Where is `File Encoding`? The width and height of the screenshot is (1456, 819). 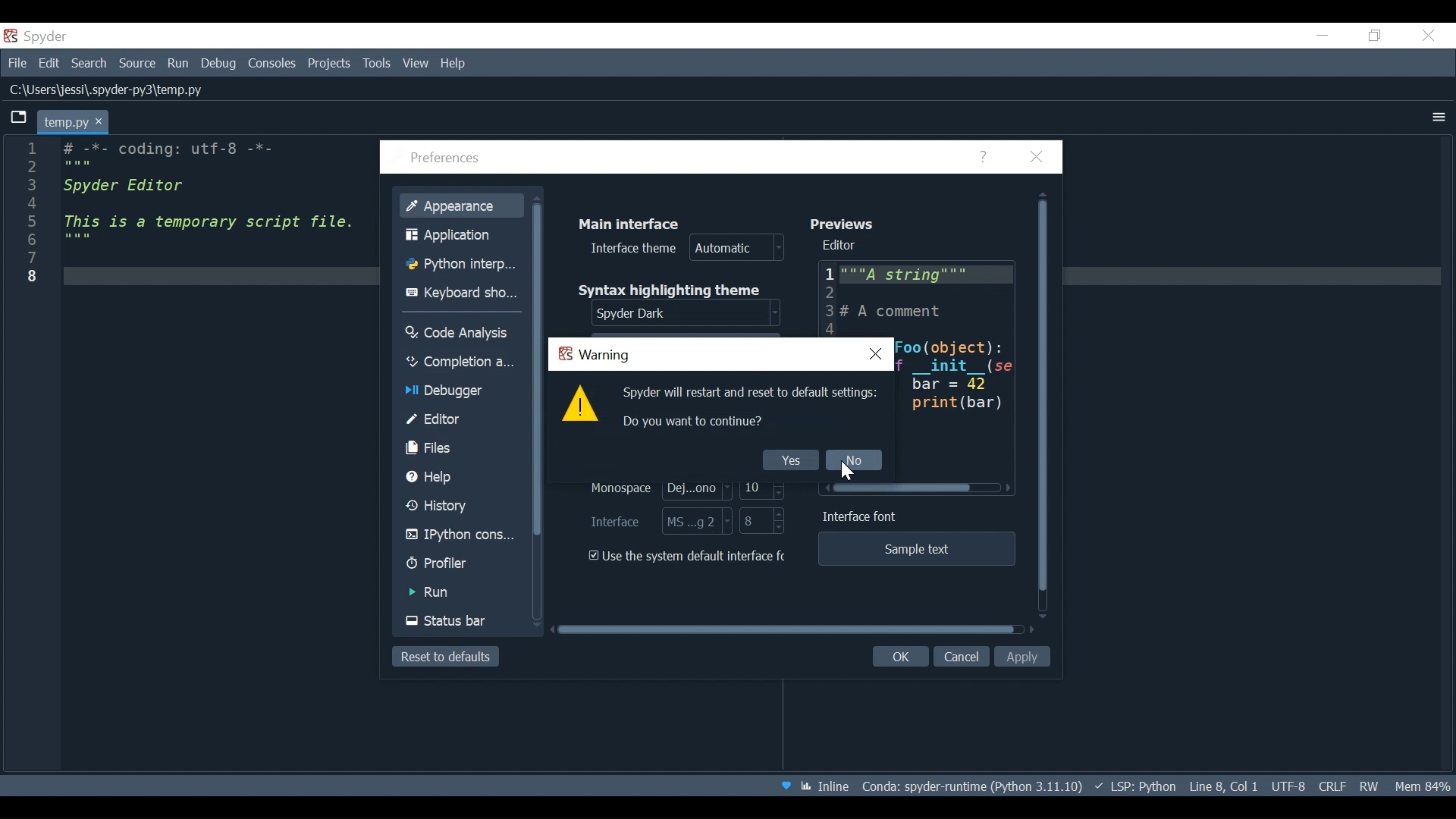 File Encoding is located at coordinates (1288, 786).